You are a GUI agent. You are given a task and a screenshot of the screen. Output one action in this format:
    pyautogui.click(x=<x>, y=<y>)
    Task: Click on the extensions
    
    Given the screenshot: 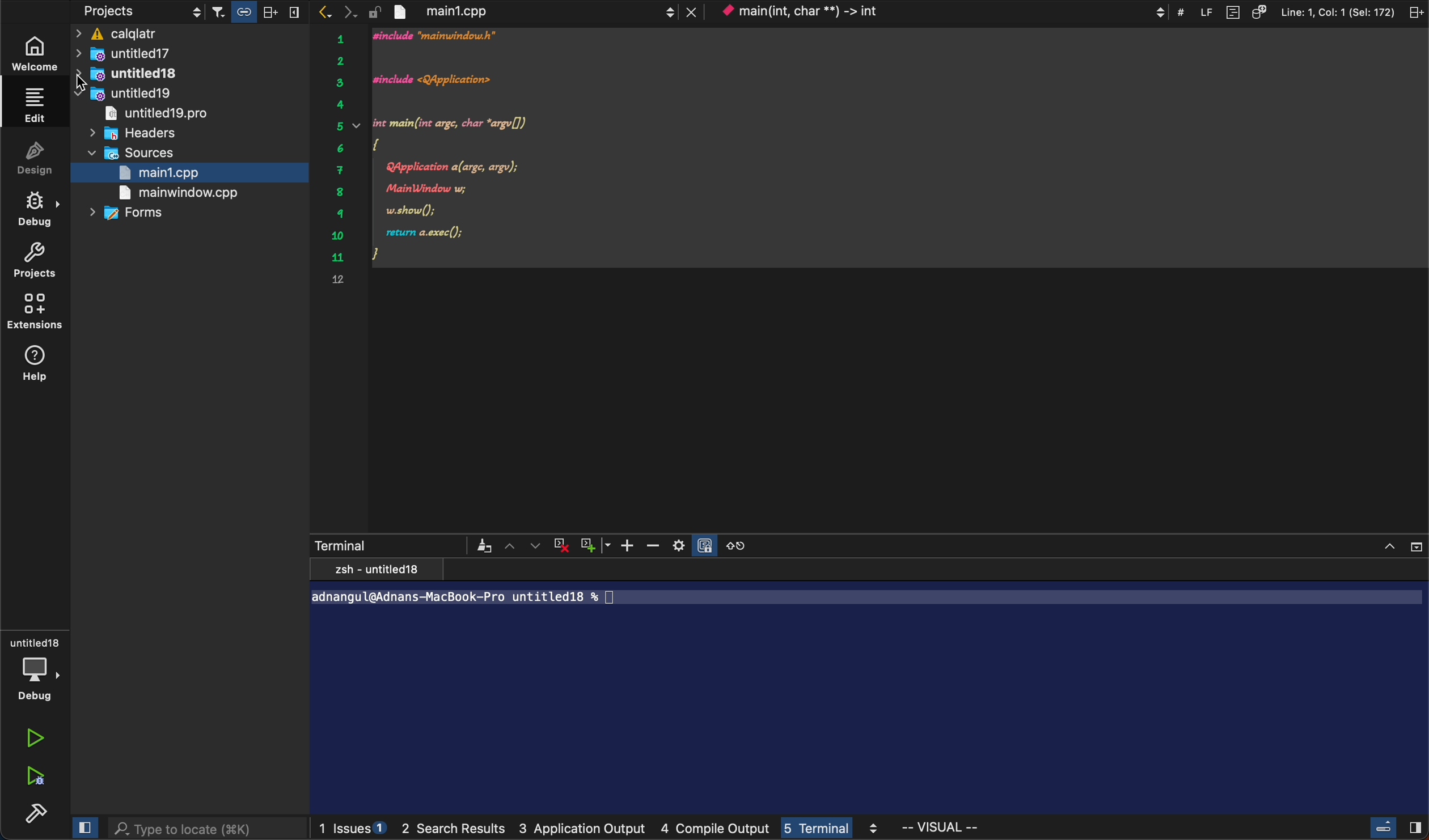 What is the action you would take?
    pyautogui.click(x=35, y=313)
    